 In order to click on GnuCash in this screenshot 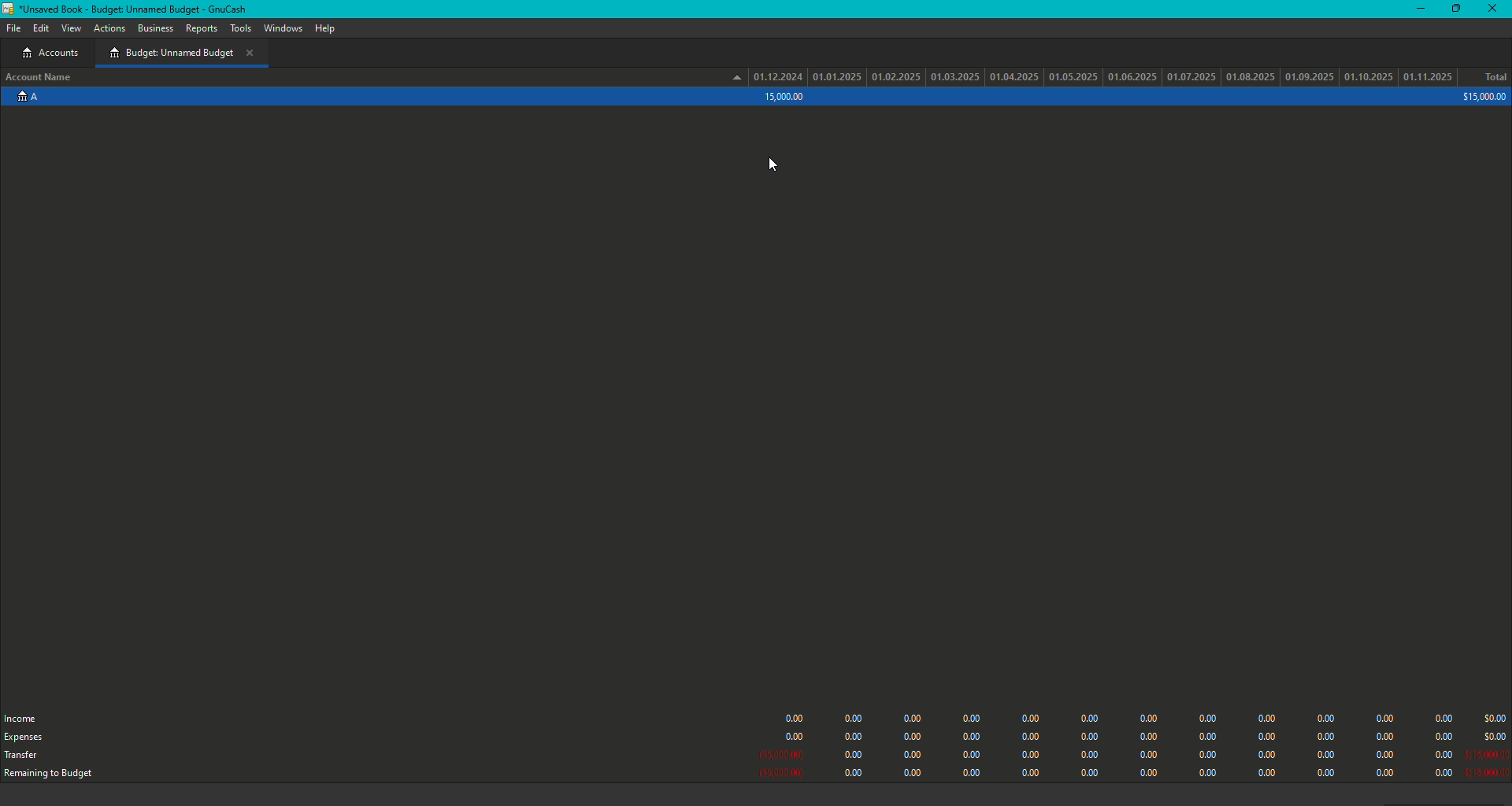, I will do `click(131, 9)`.